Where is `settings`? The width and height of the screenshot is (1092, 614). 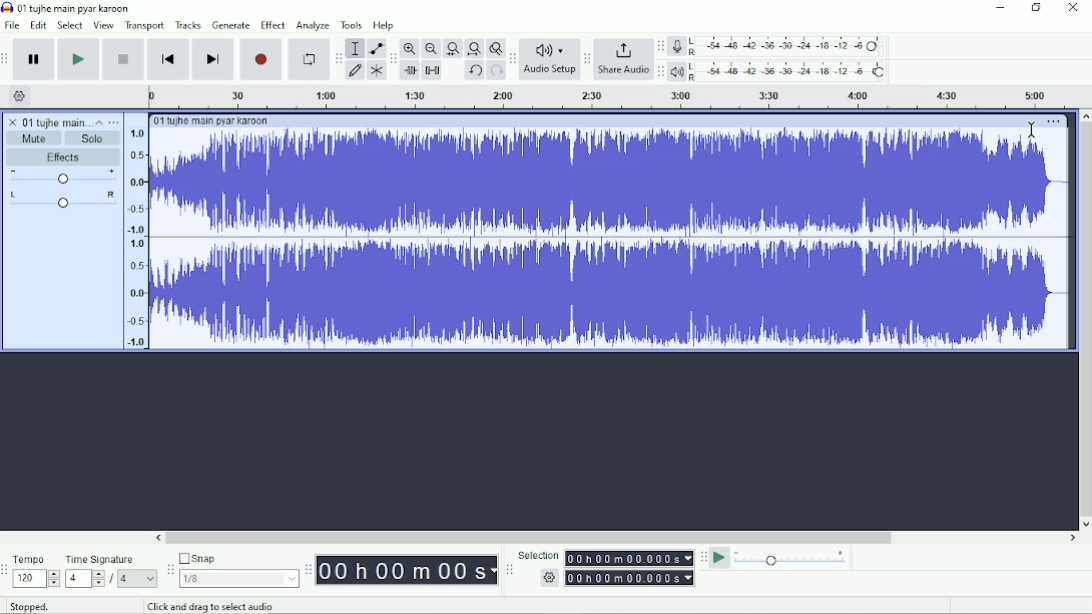 settings is located at coordinates (549, 577).